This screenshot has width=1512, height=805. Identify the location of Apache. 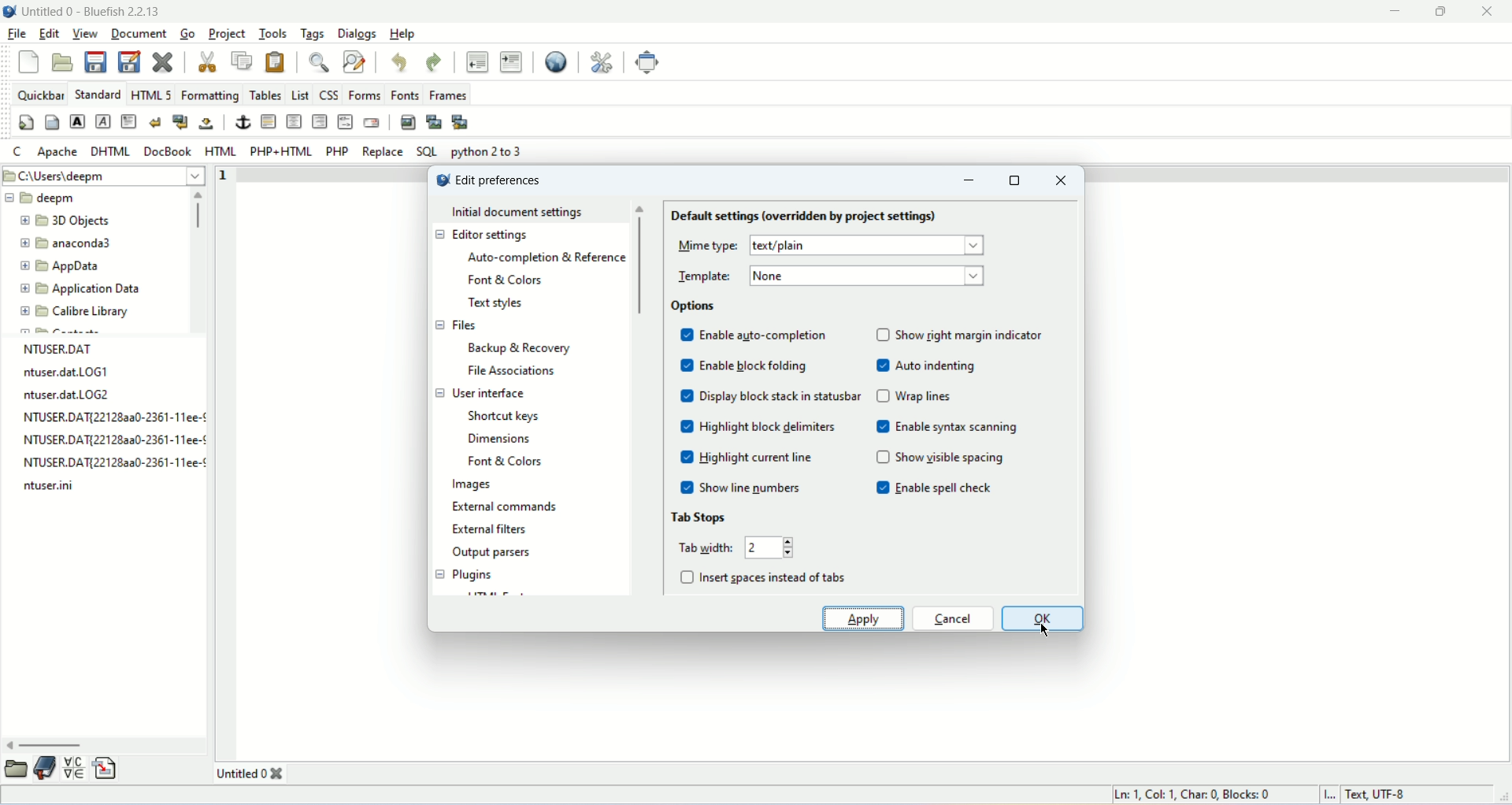
(55, 150).